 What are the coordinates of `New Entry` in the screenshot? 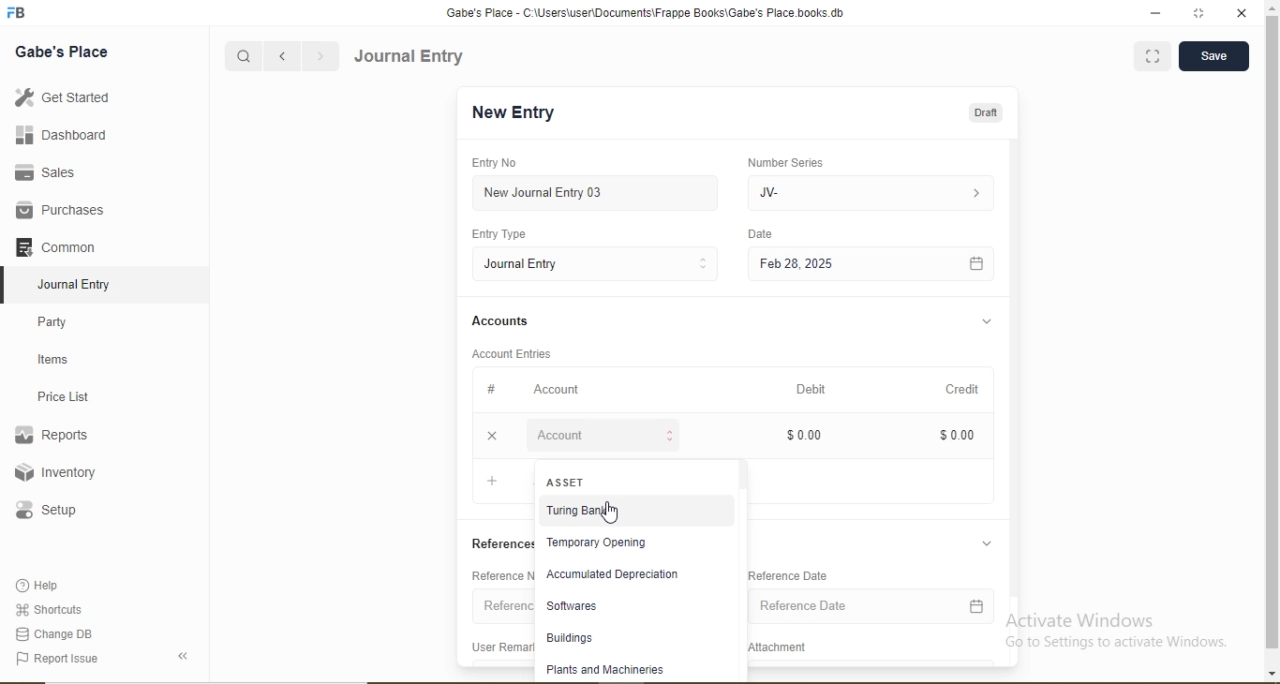 It's located at (517, 113).